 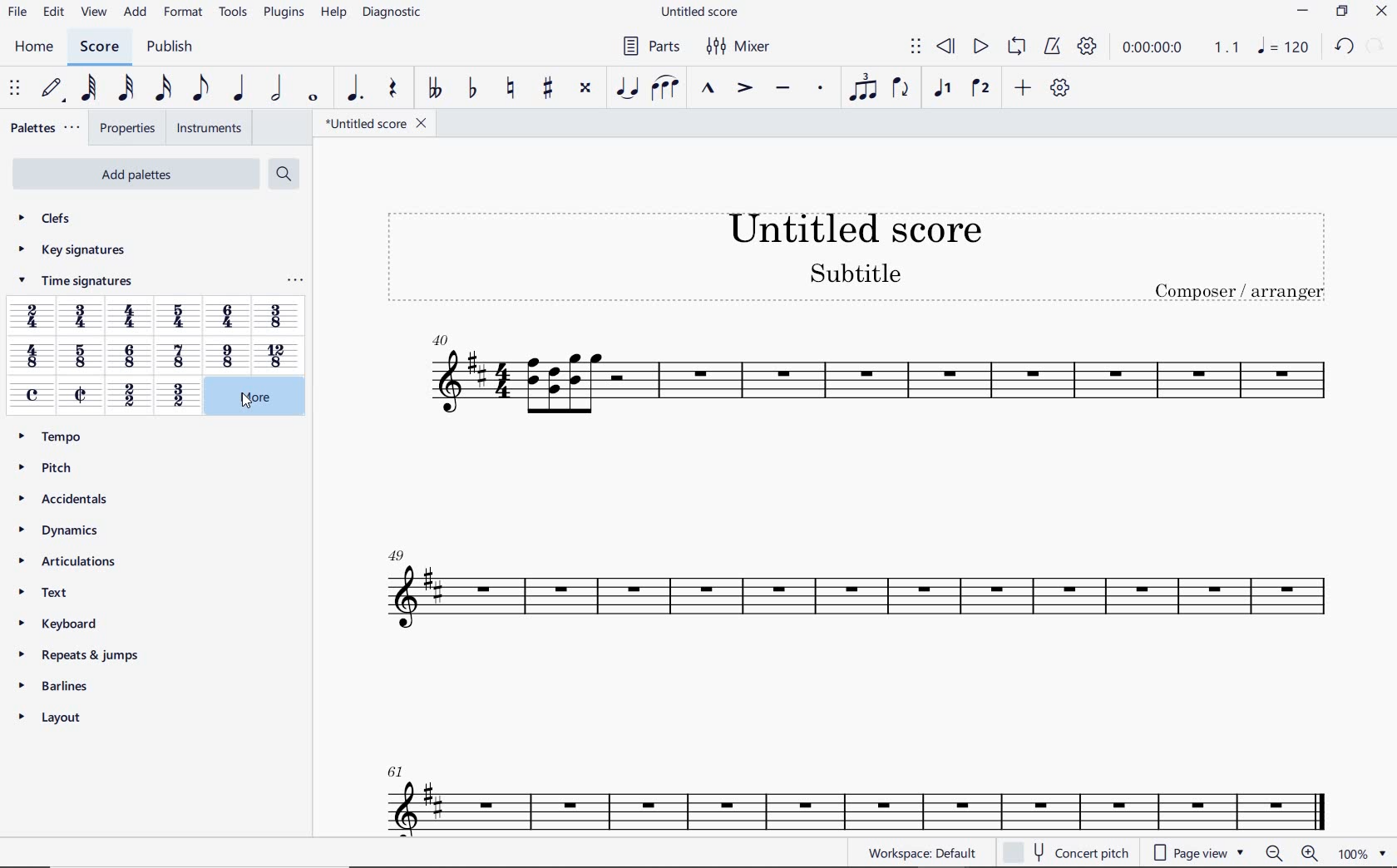 I want to click on 3/2, so click(x=177, y=397).